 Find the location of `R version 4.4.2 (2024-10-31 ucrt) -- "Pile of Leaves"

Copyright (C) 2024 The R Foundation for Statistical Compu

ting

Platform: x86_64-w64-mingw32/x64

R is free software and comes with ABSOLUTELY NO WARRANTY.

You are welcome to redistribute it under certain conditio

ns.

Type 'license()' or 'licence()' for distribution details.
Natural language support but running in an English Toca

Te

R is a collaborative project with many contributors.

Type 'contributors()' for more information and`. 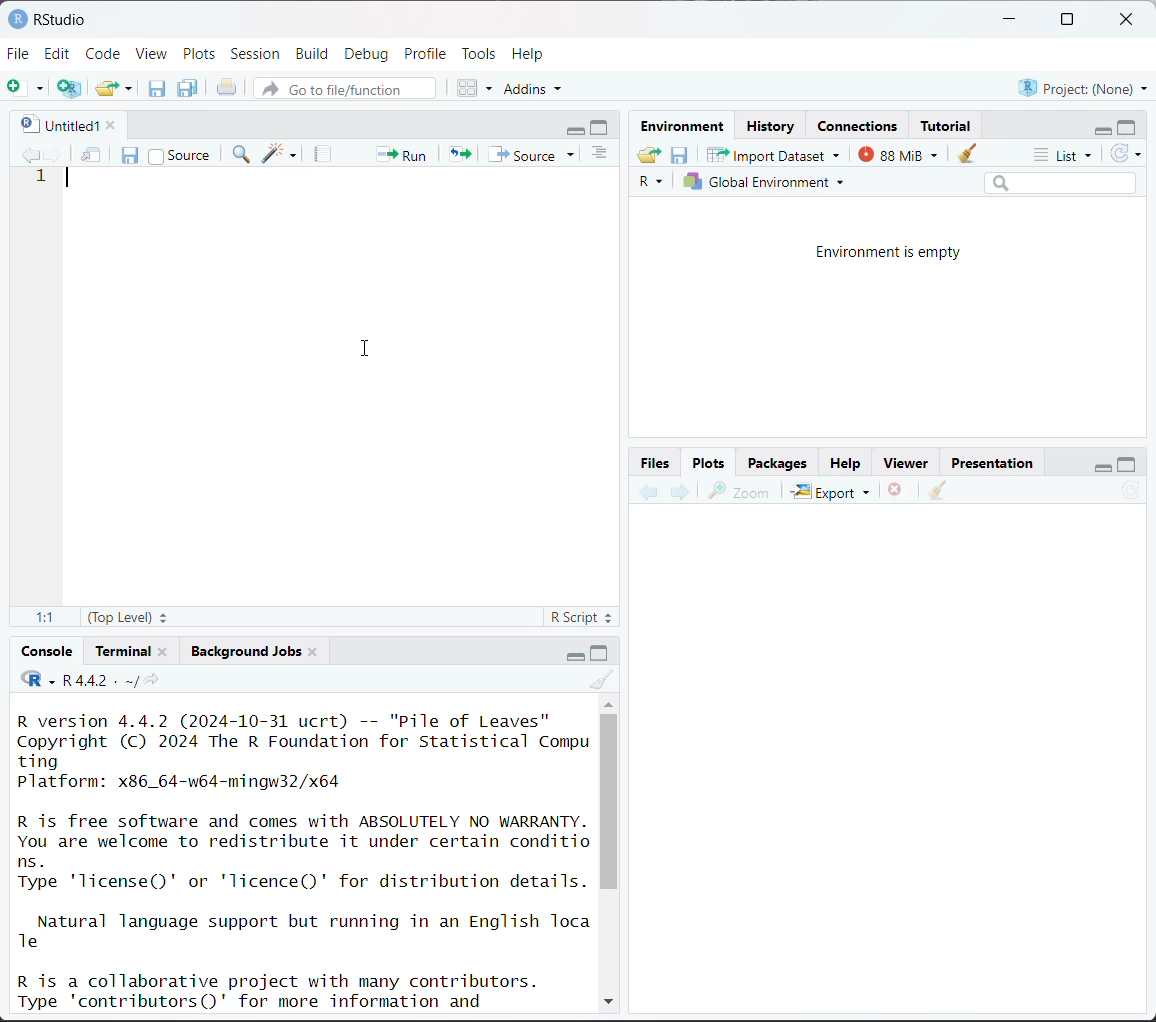

R version 4.4.2 (2024-10-31 ucrt) -- "Pile of Leaves"

Copyright (C) 2024 The R Foundation for Statistical Compu

ting

Platform: x86_64-w64-mingw32/x64

R is free software and comes with ABSOLUTELY NO WARRANTY.

You are welcome to redistribute it under certain conditio

ns.

Type 'license()' or 'licence()' for distribution details.
Natural language support but running in an English Toca

Te

R is a collaborative project with many contributors.

Type 'contributors()' for more information and is located at coordinates (305, 859).